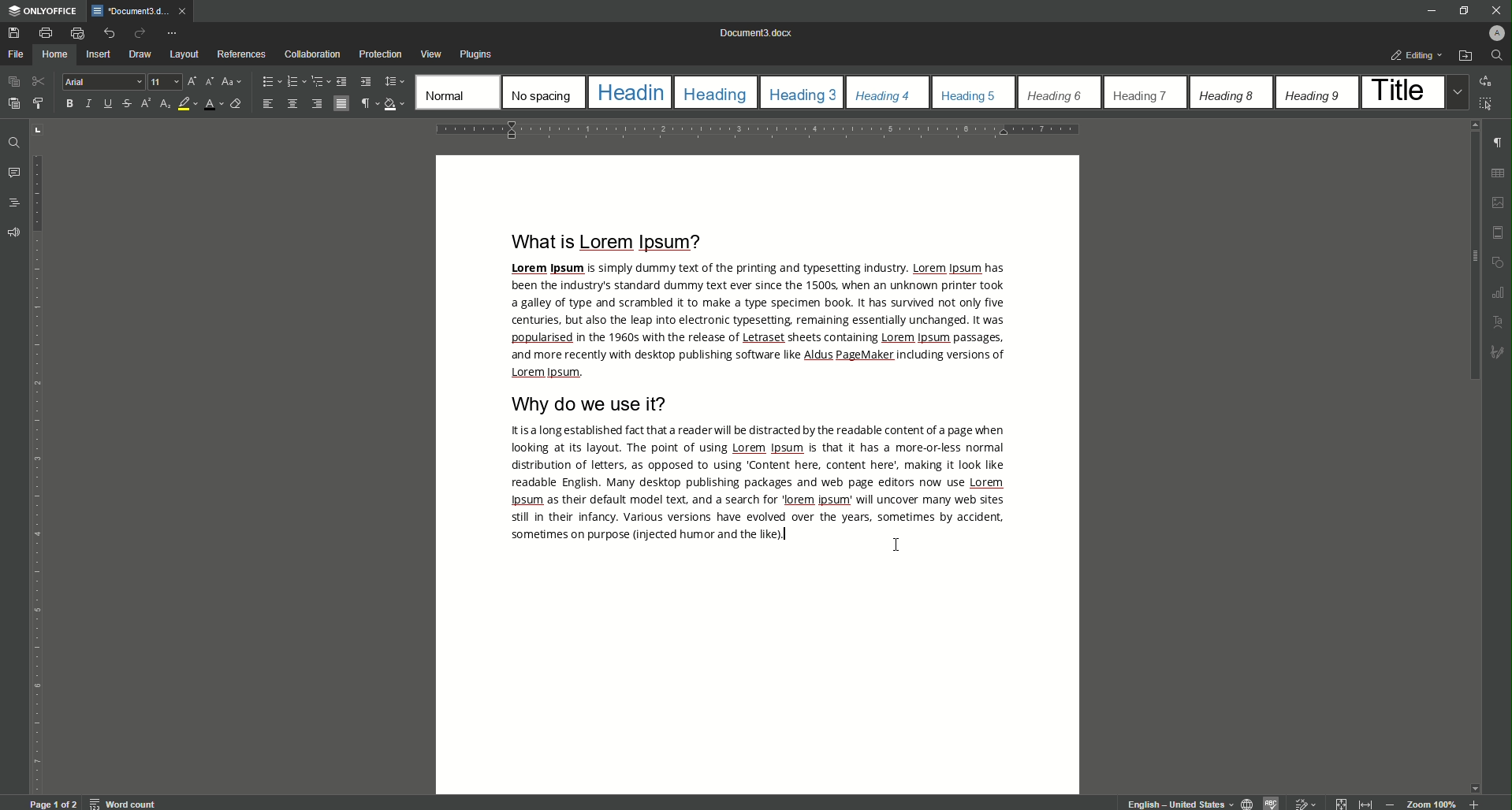 This screenshot has height=810, width=1512. Describe the element at coordinates (38, 80) in the screenshot. I see `Cut` at that location.